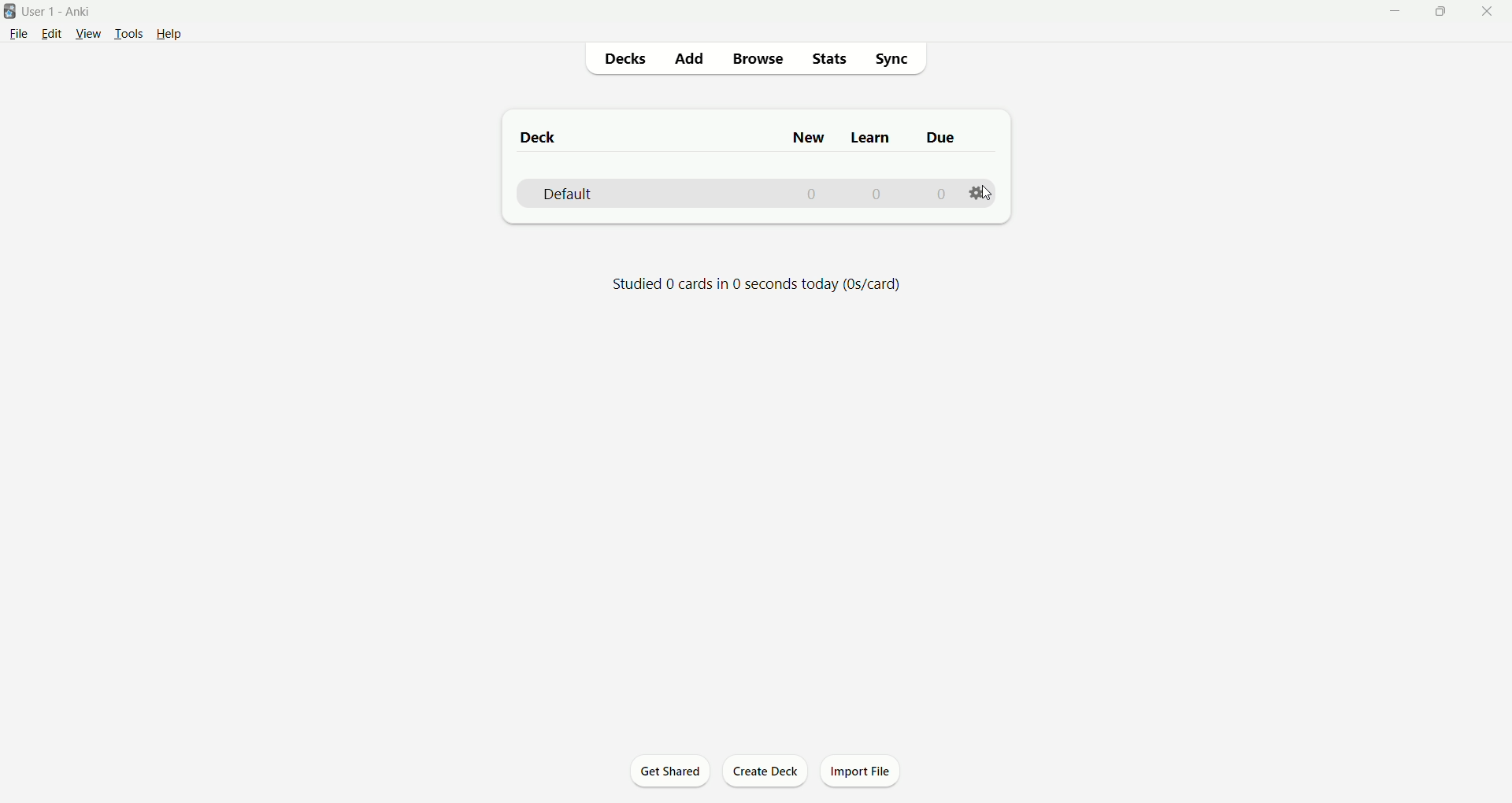  I want to click on create deck, so click(769, 772).